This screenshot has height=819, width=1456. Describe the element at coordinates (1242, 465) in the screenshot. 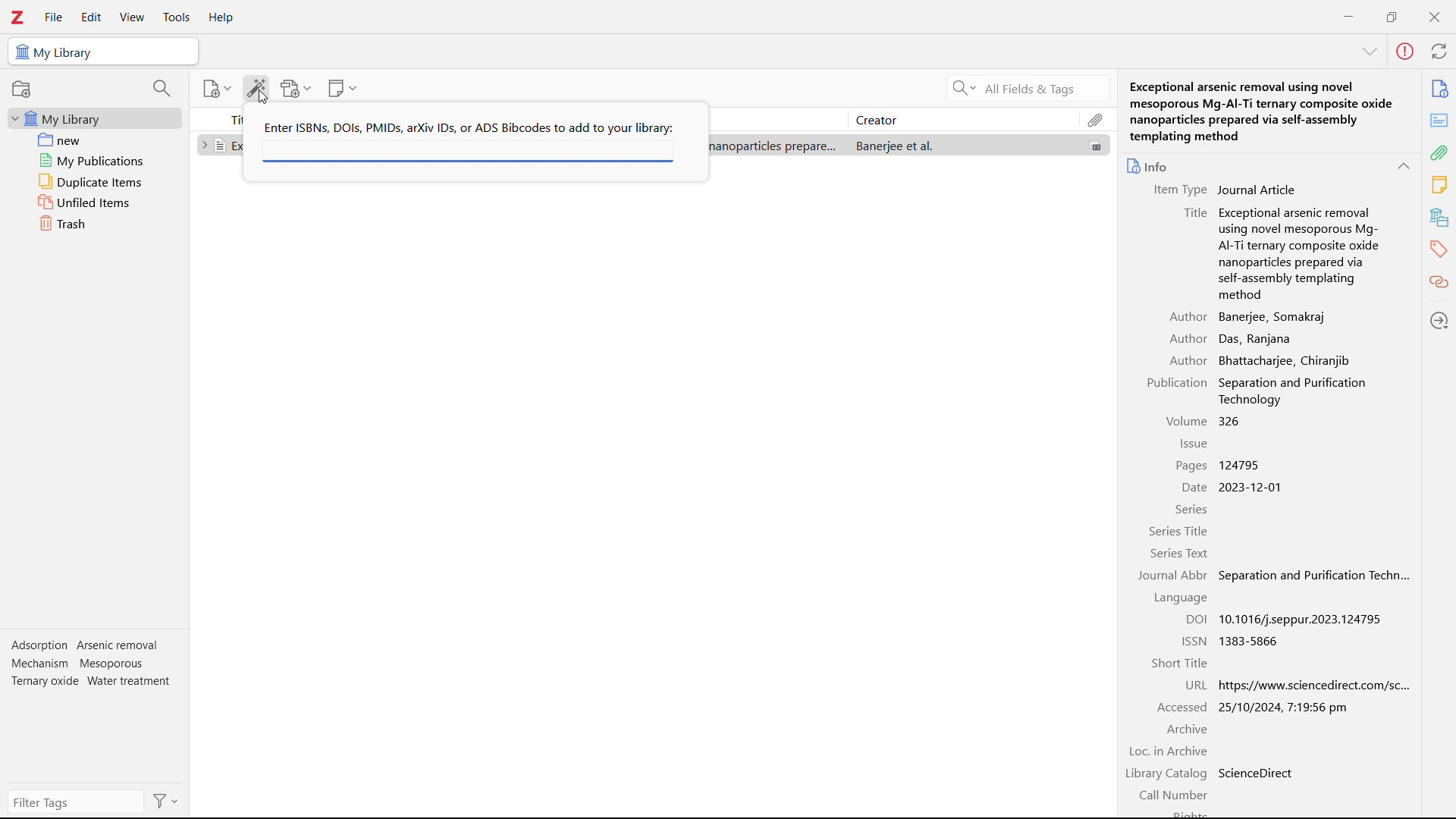

I see `1245795` at that location.